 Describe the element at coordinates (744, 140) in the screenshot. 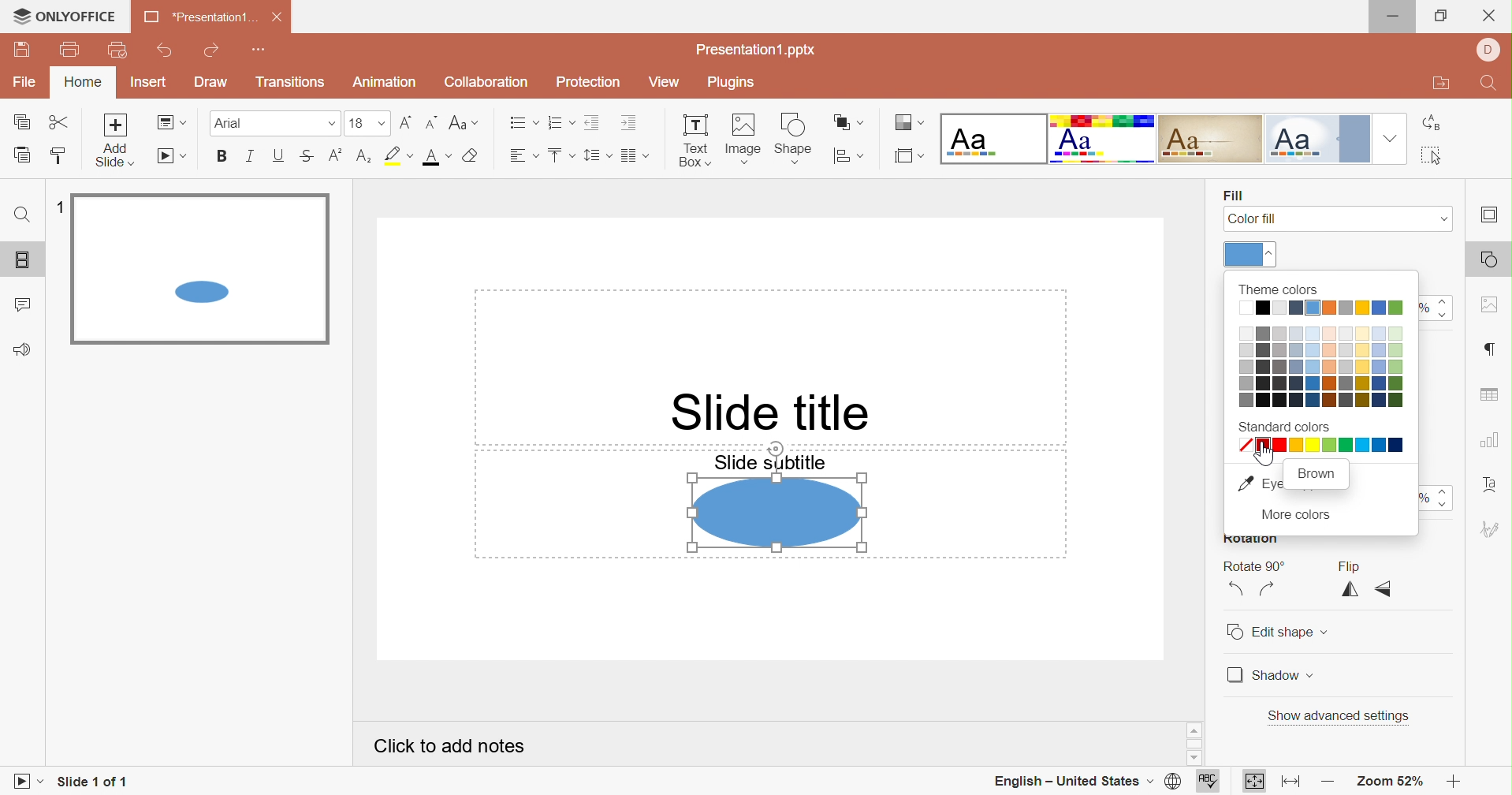

I see `Image` at that location.